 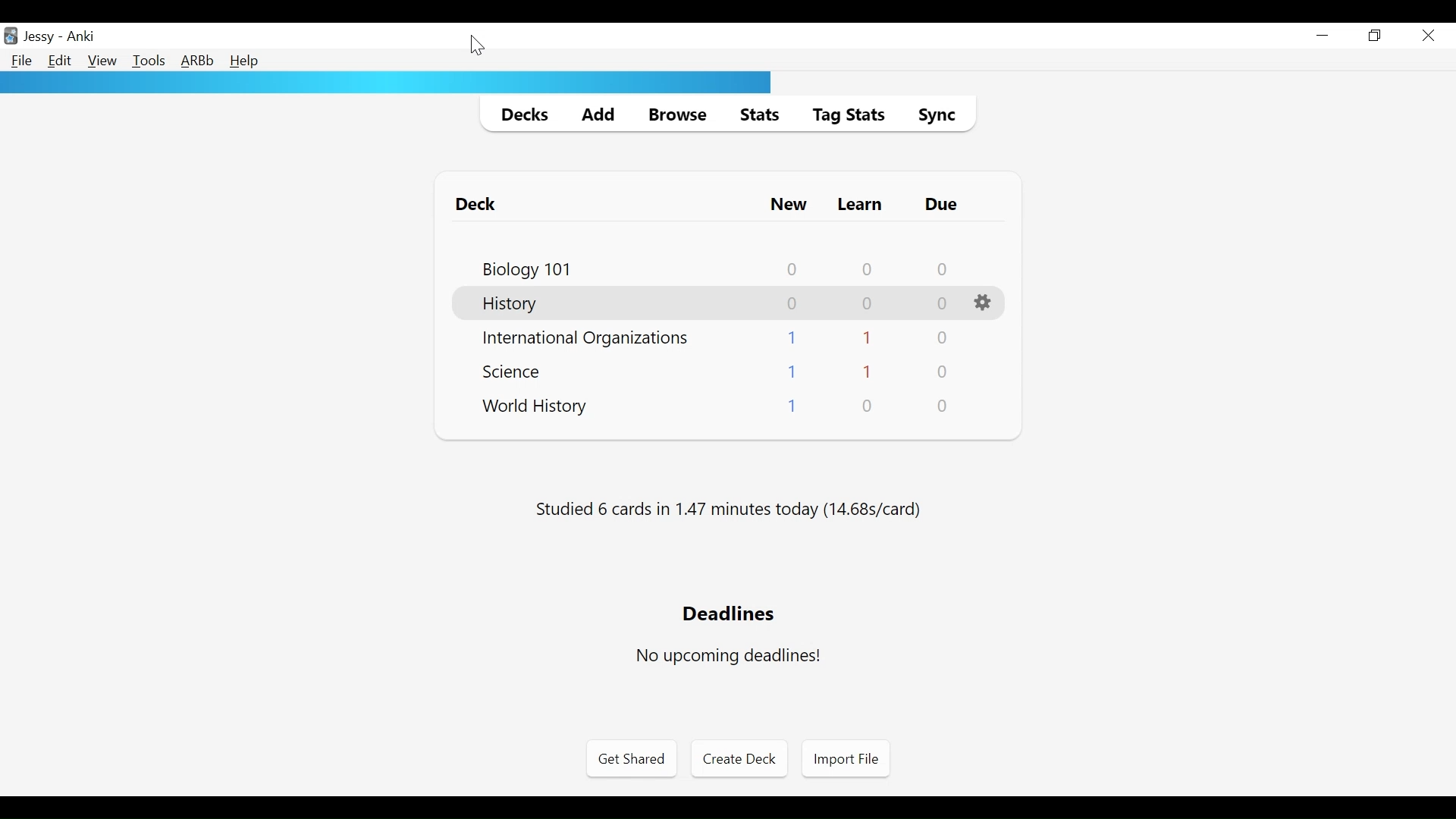 What do you see at coordinates (149, 62) in the screenshot?
I see `Tools` at bounding box center [149, 62].